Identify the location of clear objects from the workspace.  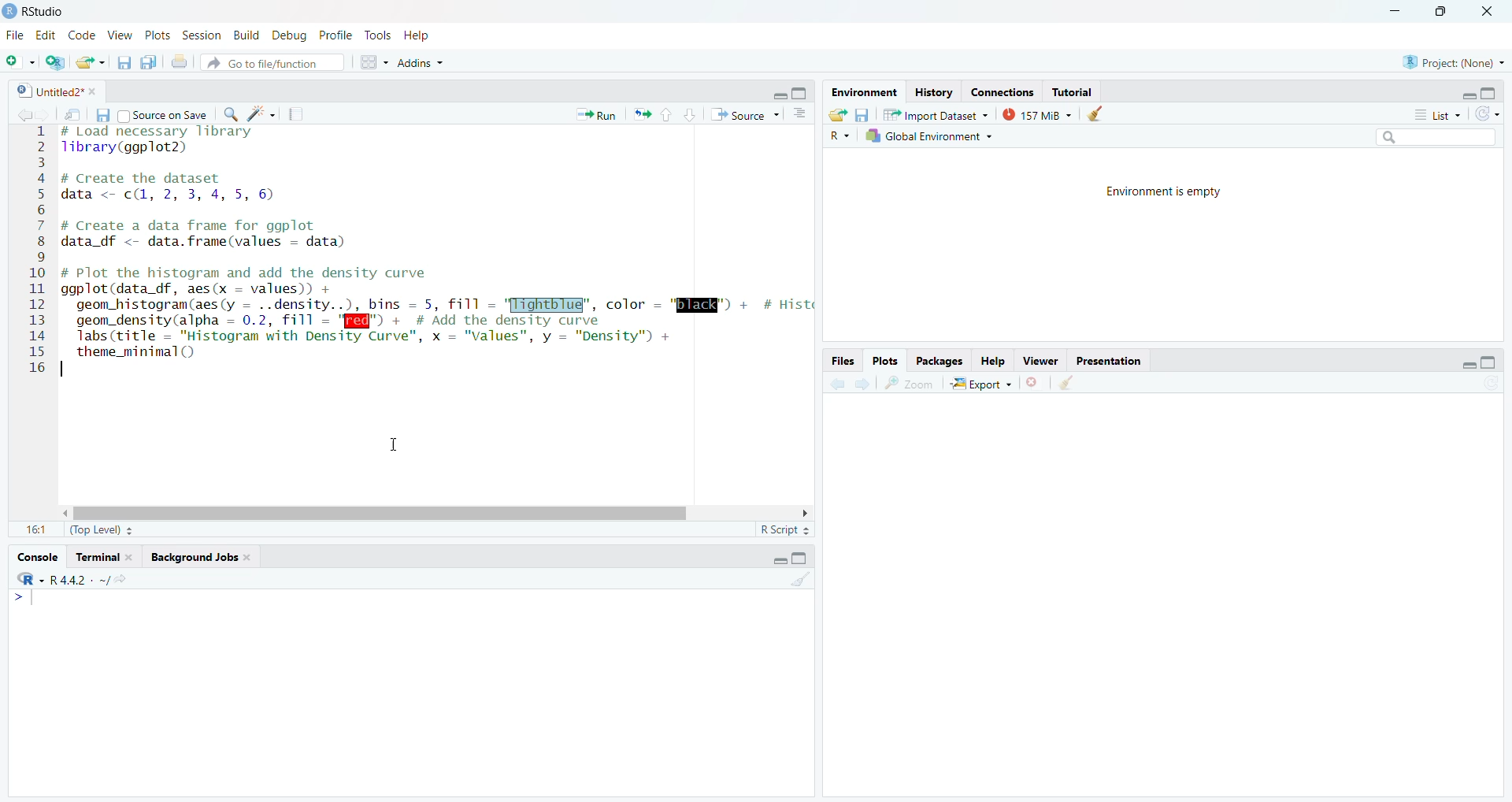
(1099, 114).